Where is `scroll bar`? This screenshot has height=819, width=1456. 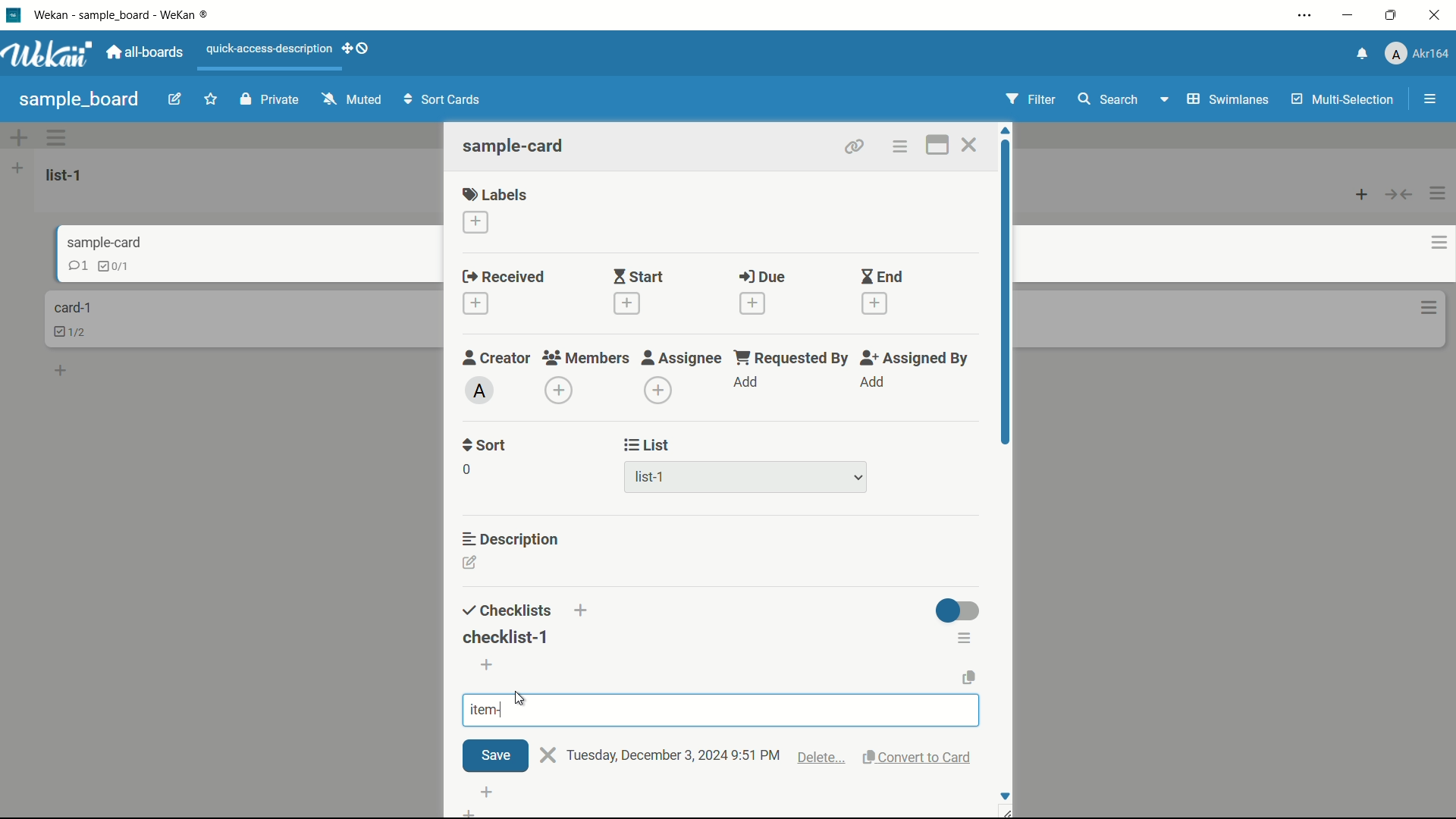 scroll bar is located at coordinates (1007, 302).